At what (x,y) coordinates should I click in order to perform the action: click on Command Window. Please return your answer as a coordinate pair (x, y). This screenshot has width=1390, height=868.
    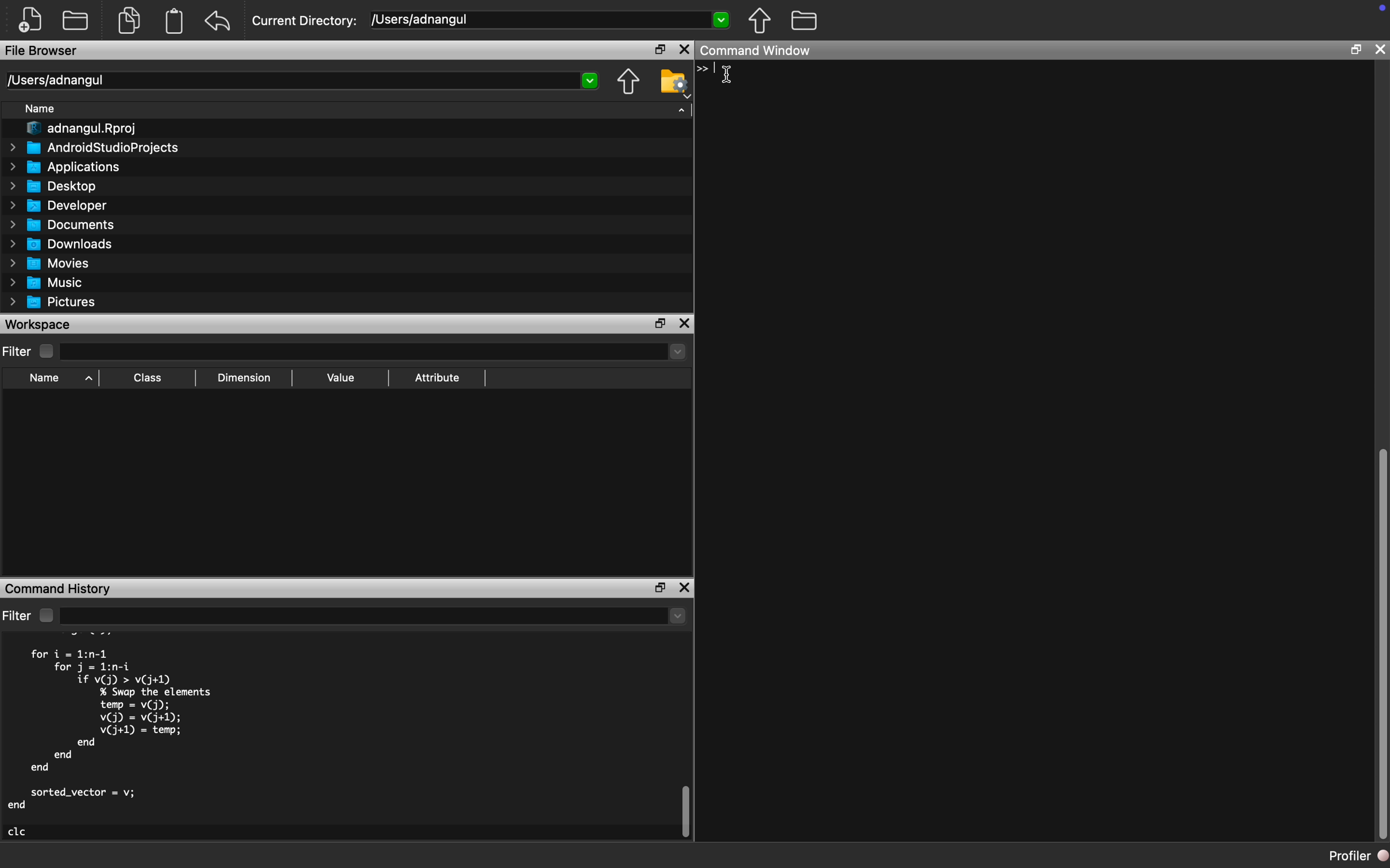
    Looking at the image, I should click on (756, 50).